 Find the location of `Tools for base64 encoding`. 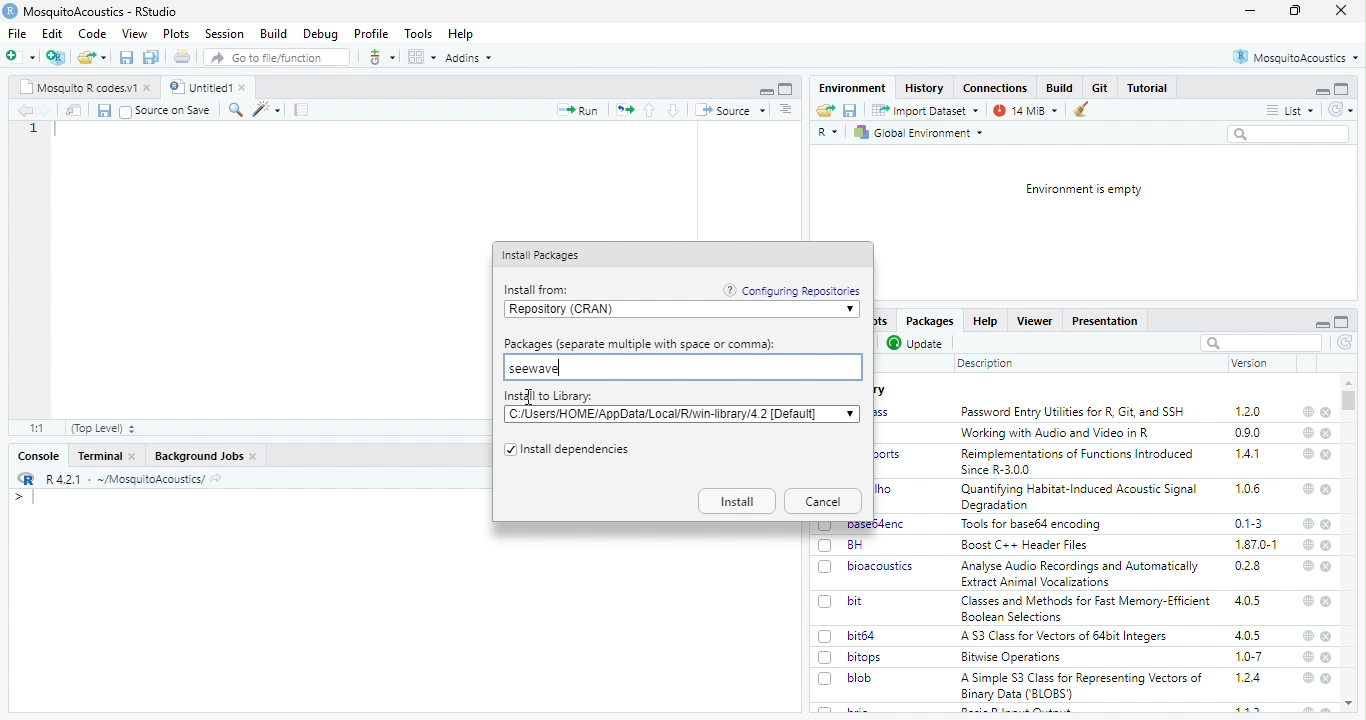

Tools for base64 encoding is located at coordinates (1032, 525).